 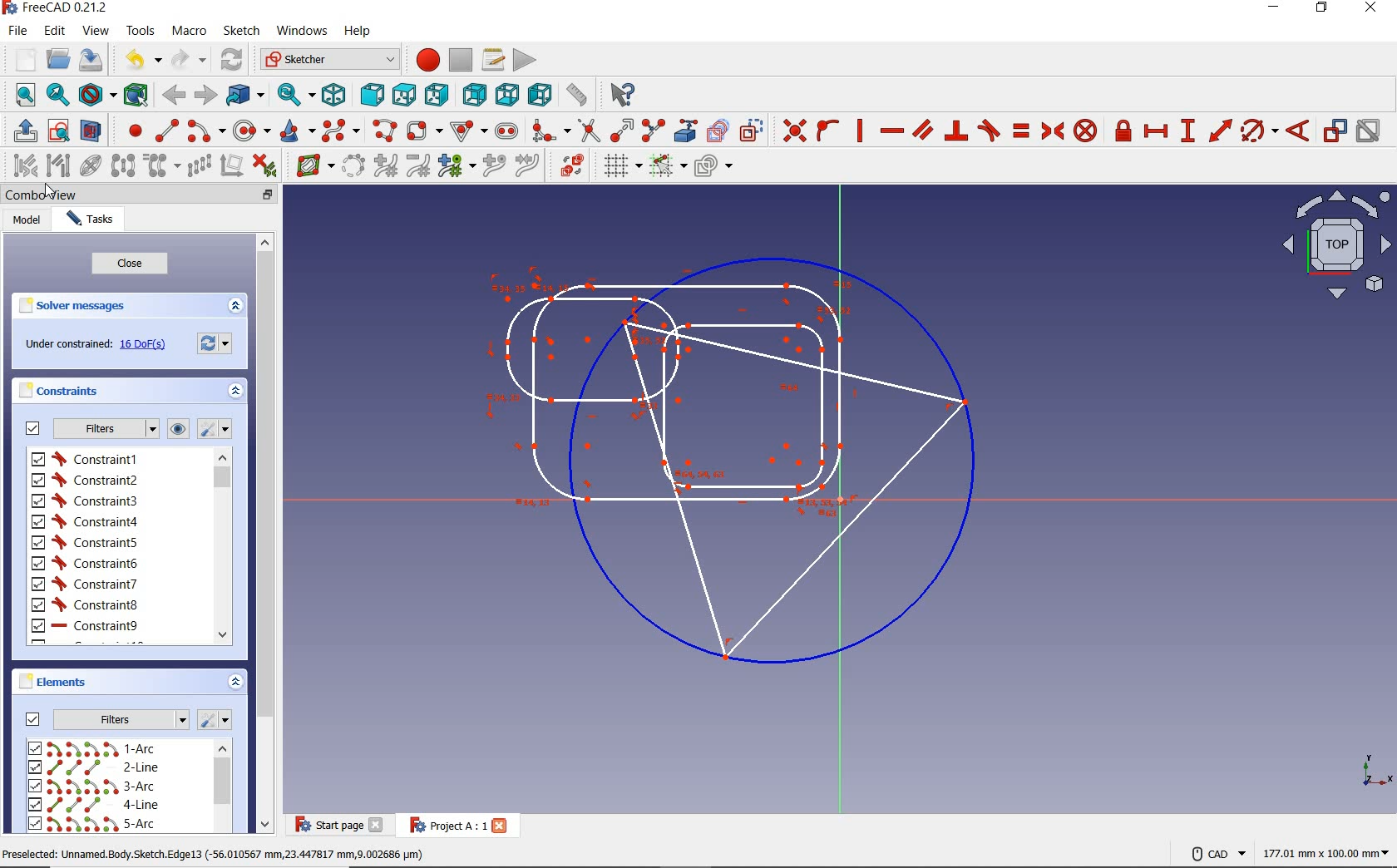 What do you see at coordinates (234, 682) in the screenshot?
I see `expand` at bounding box center [234, 682].